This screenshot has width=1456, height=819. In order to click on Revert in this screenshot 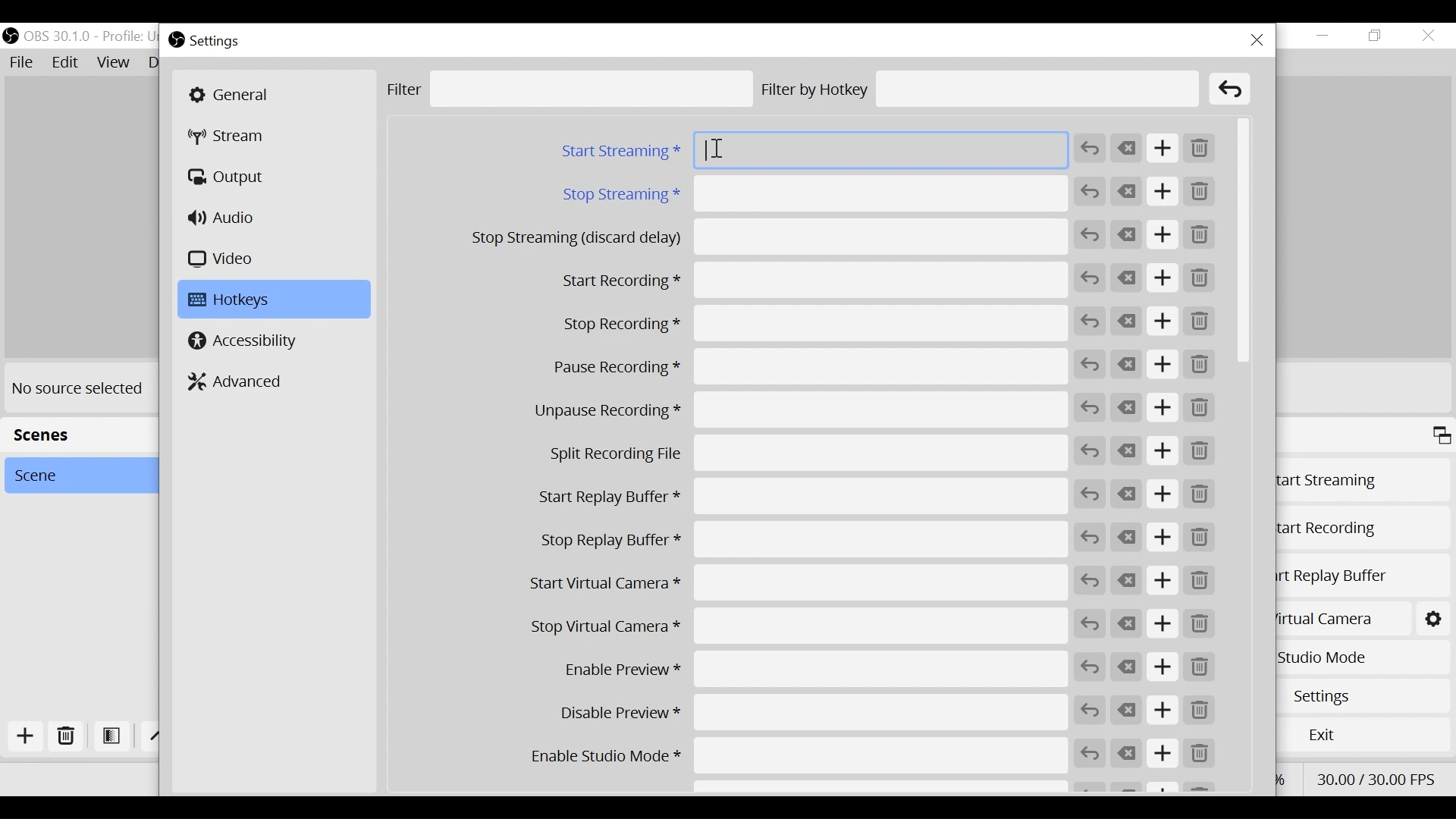, I will do `click(1090, 278)`.